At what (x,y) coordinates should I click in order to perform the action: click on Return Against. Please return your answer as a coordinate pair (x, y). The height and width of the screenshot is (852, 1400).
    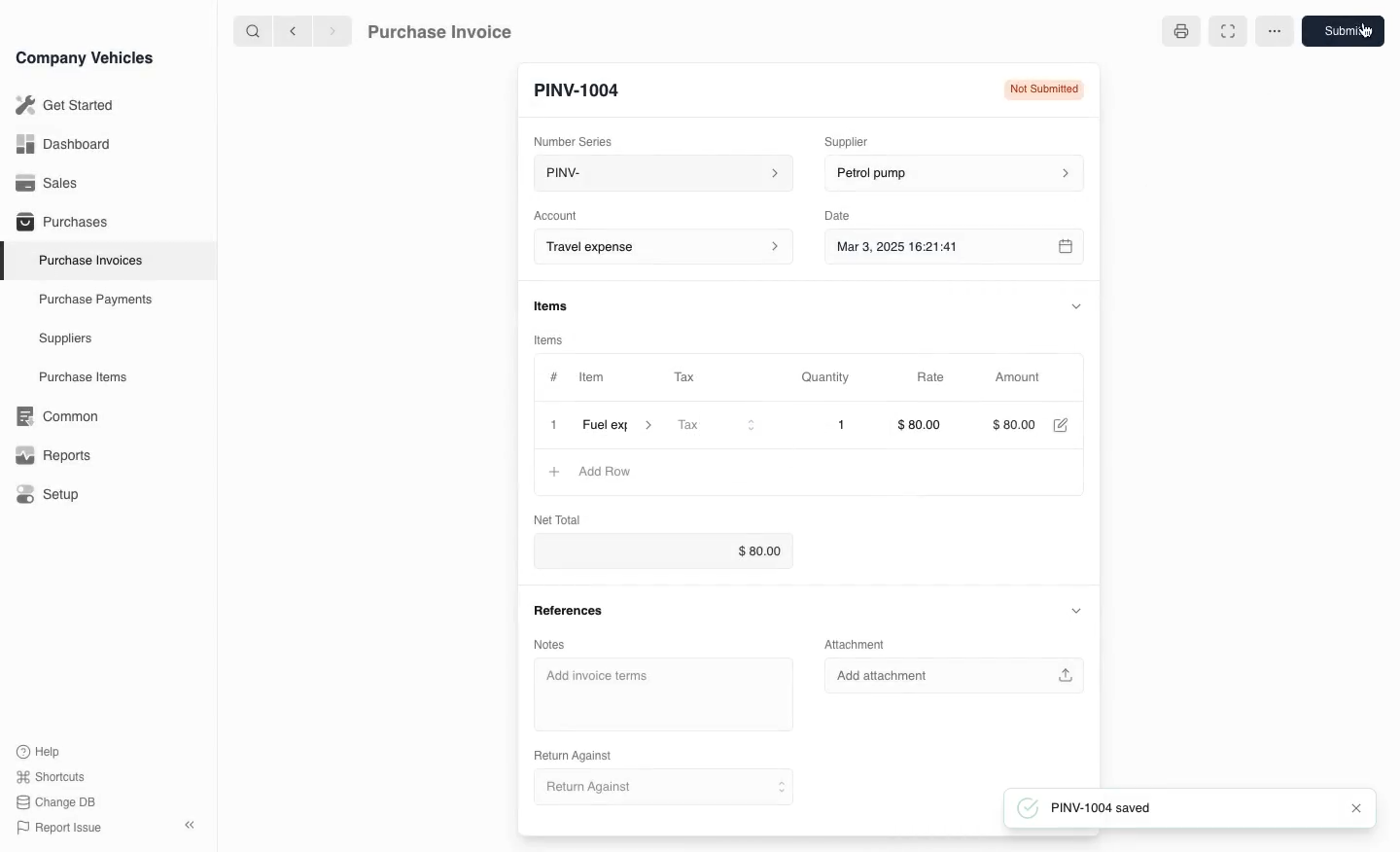
    Looking at the image, I should click on (660, 788).